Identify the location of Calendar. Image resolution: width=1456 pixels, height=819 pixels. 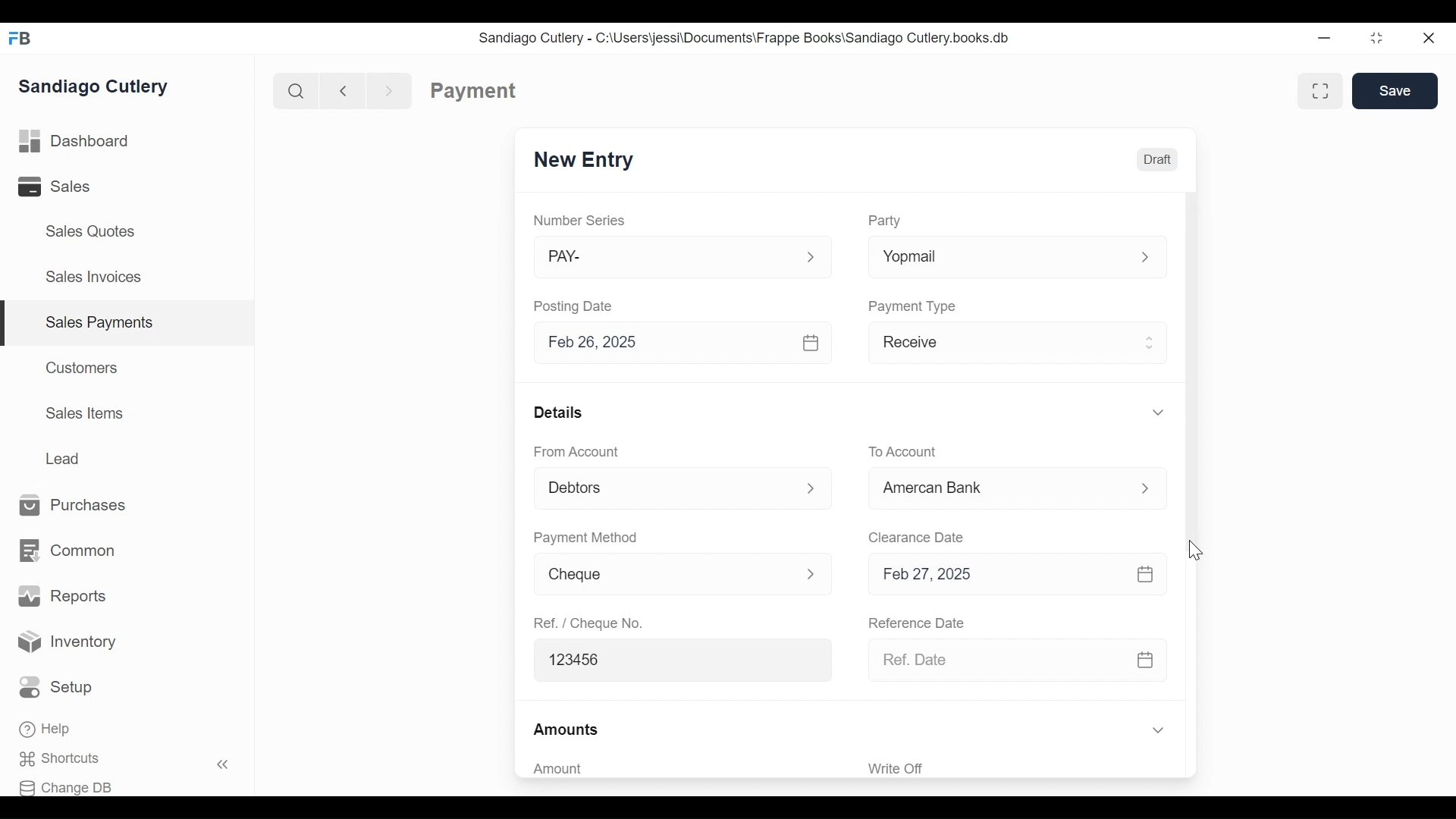
(1146, 659).